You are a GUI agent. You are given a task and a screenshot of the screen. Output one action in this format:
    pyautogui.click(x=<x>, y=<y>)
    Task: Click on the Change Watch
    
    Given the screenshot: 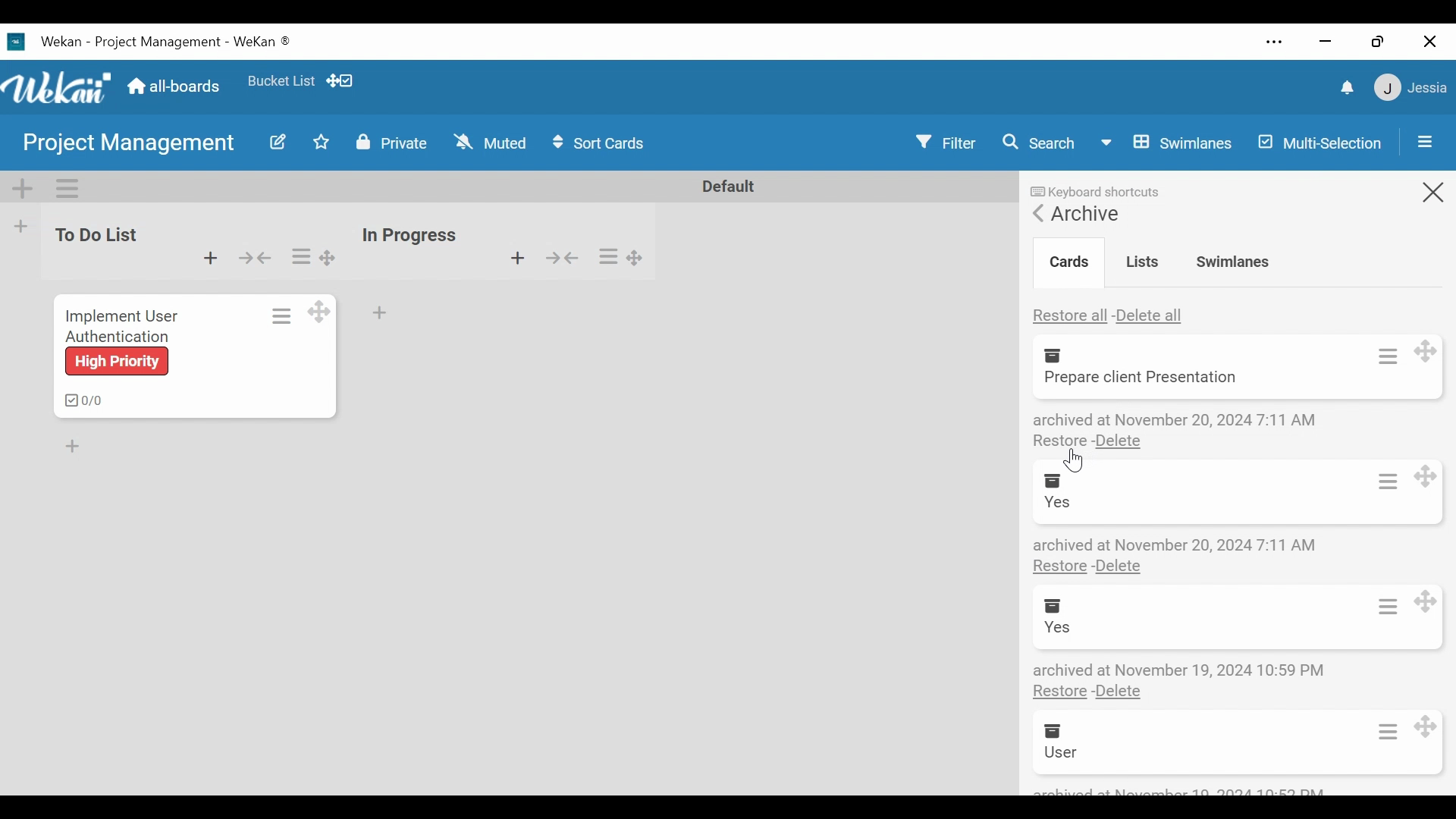 What is the action you would take?
    pyautogui.click(x=491, y=141)
    